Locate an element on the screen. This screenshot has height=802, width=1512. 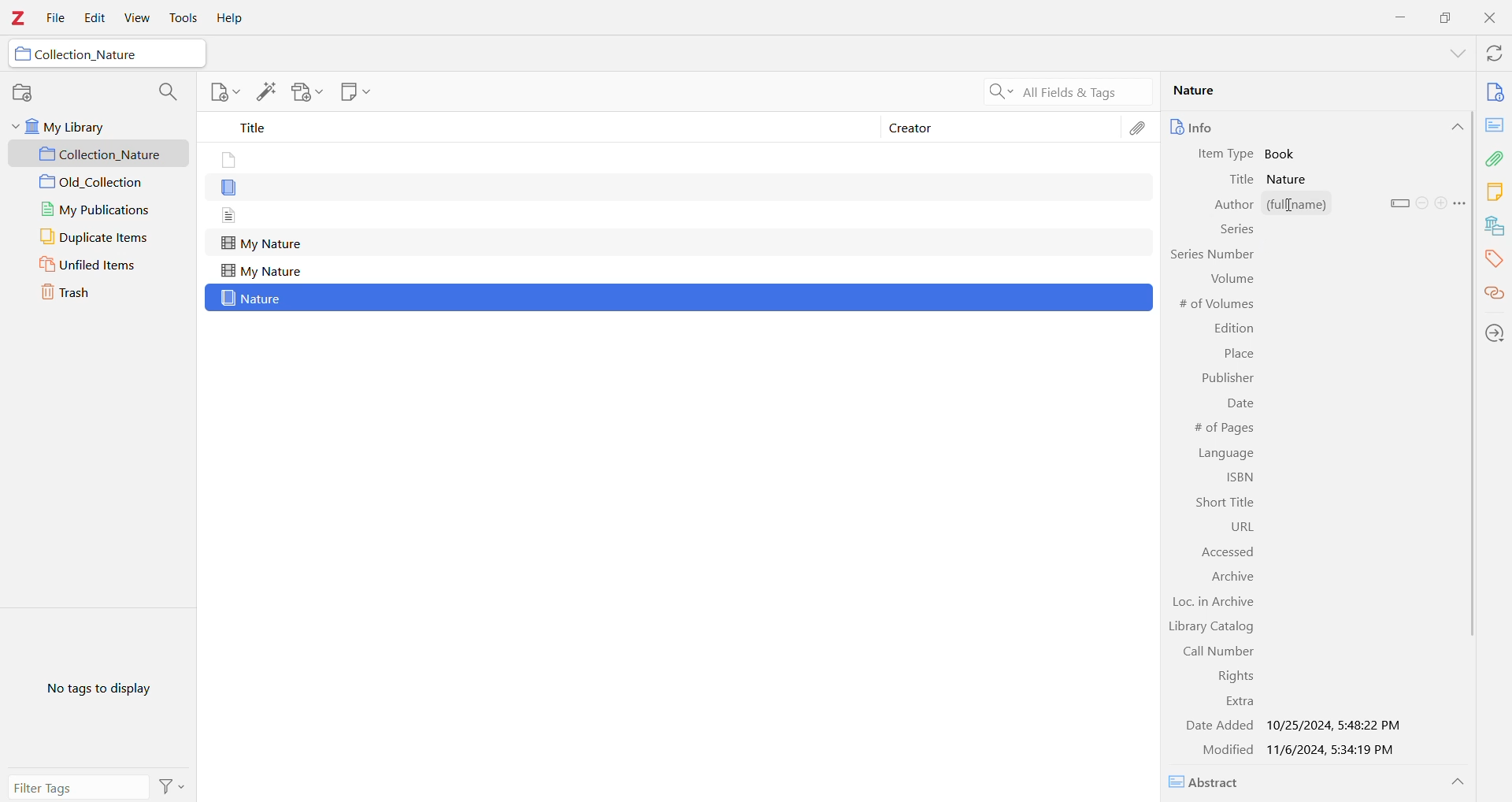
Collection_Nature is located at coordinates (87, 54).